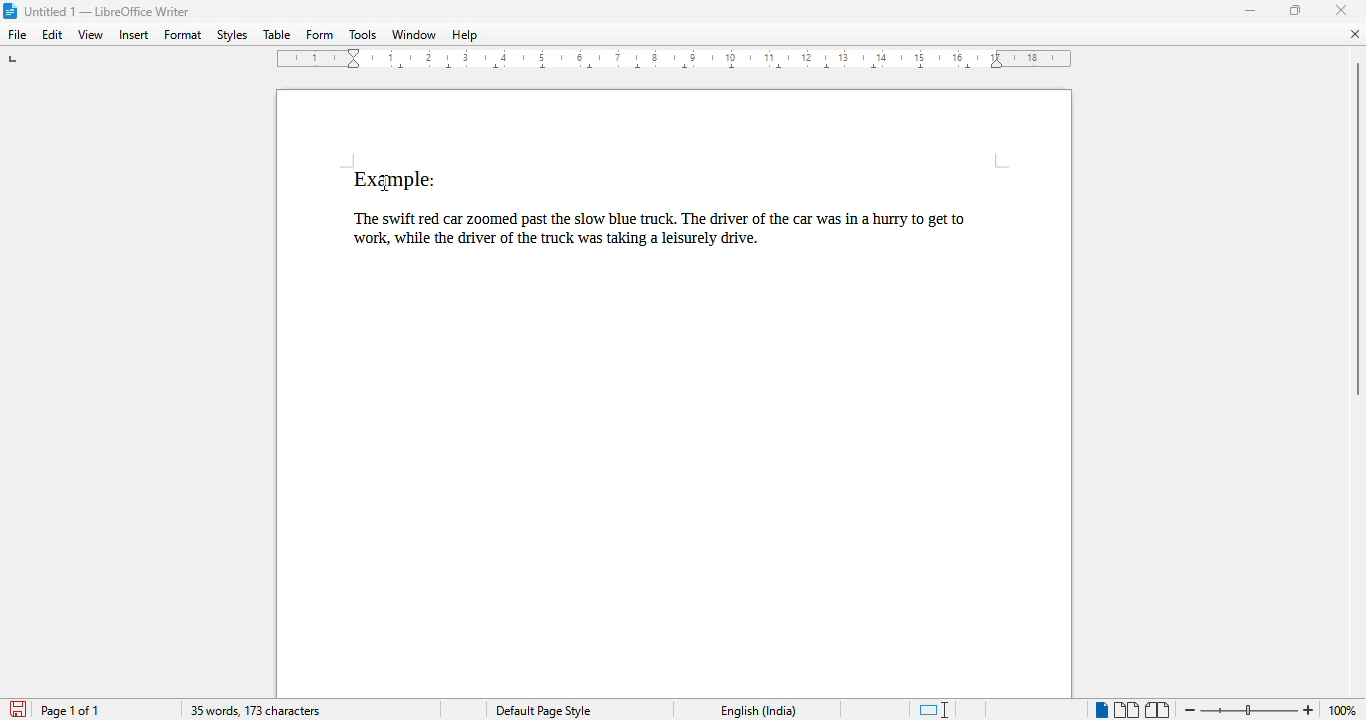 The width and height of the screenshot is (1366, 720). Describe the element at coordinates (1344, 710) in the screenshot. I see `100% (zoom level)` at that location.